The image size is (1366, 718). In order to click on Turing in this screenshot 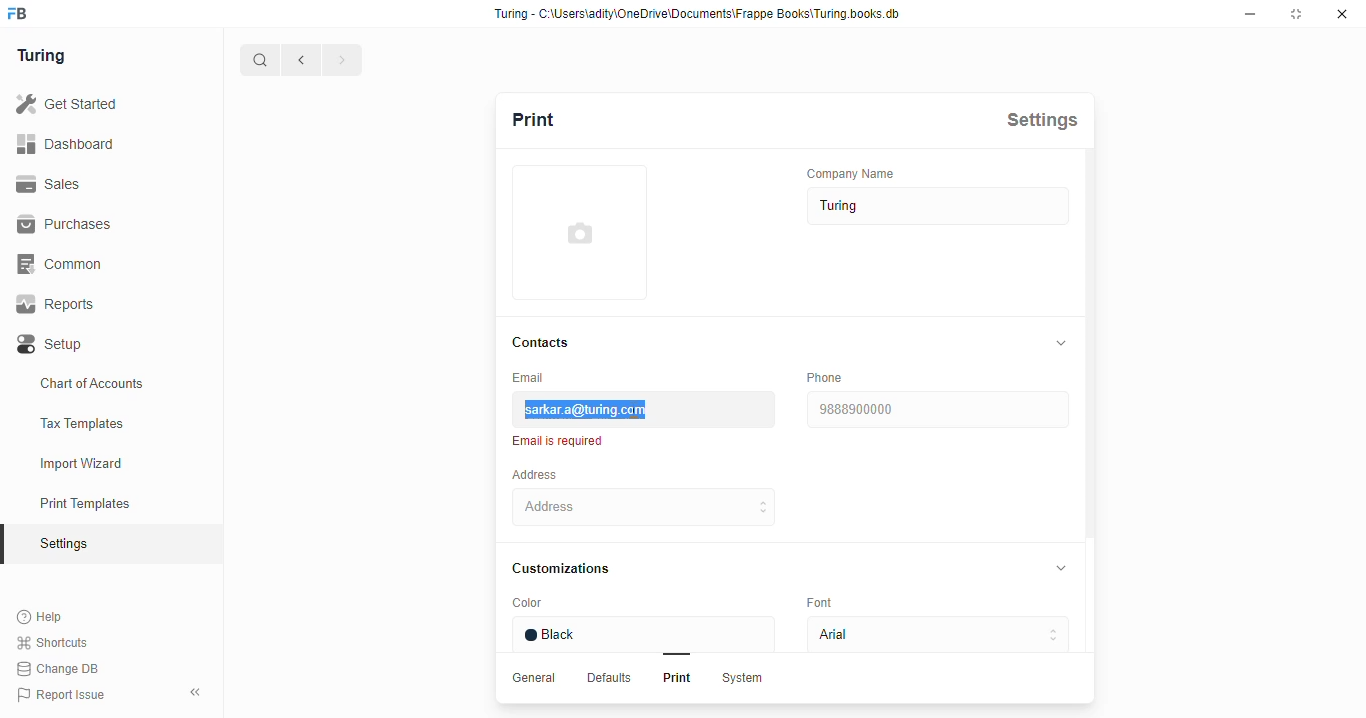, I will do `click(45, 54)`.